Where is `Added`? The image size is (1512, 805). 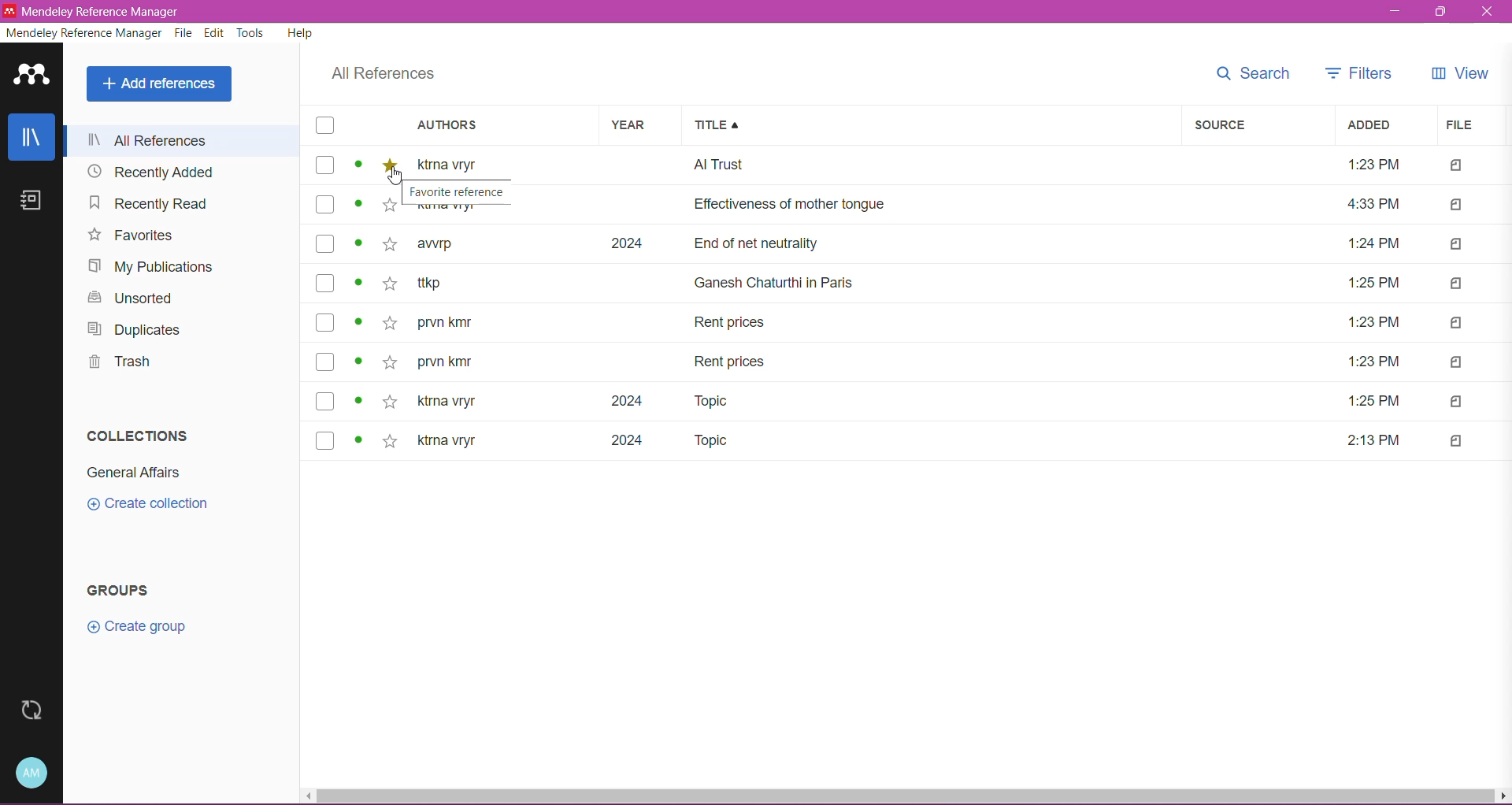 Added is located at coordinates (1382, 125).